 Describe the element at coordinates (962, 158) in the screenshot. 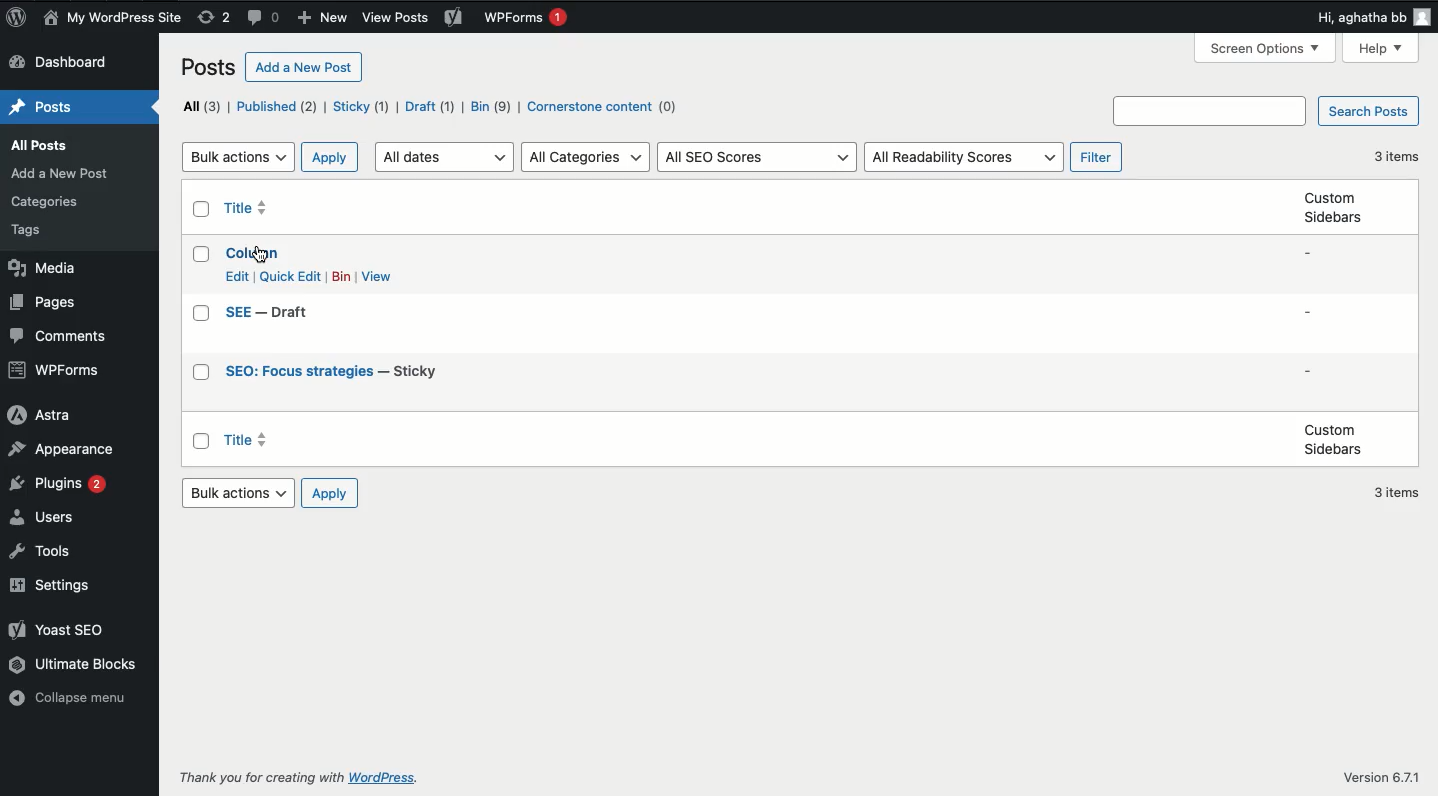

I see `All readability scores` at that location.